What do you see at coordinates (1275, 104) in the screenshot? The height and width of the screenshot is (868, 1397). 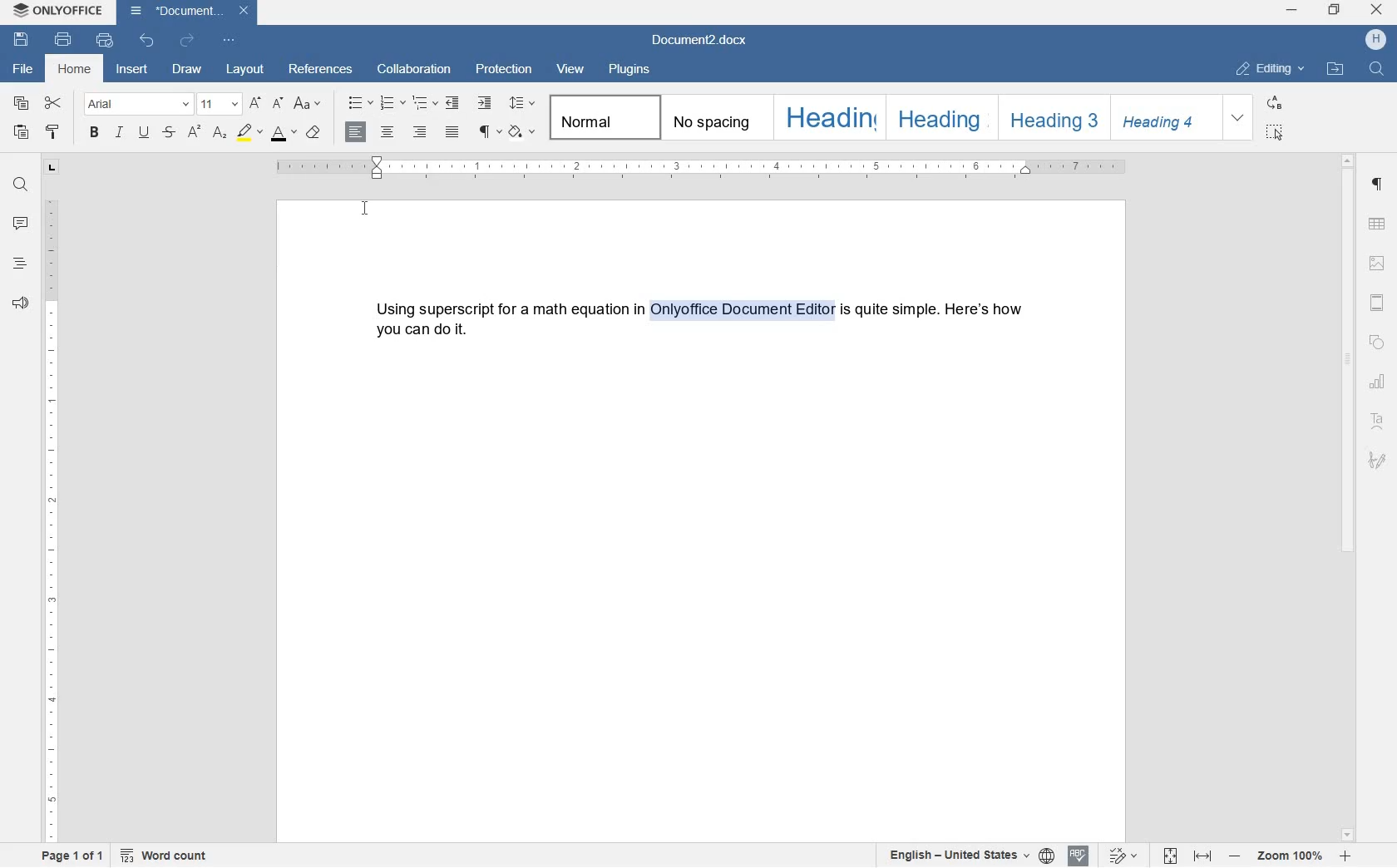 I see `REPLACE` at bounding box center [1275, 104].